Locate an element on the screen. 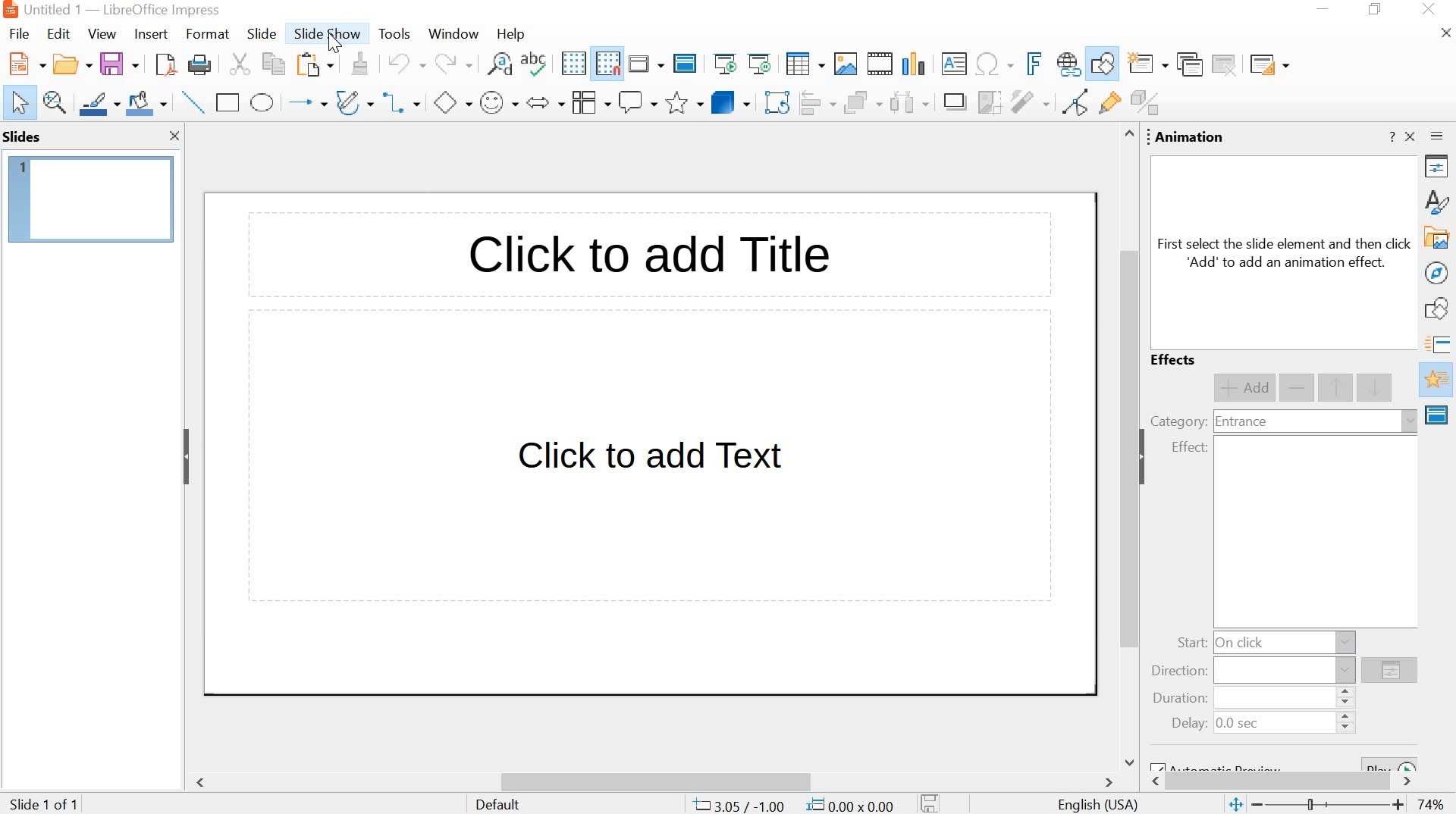 This screenshot has width=1456, height=814. minimize is located at coordinates (1326, 11).